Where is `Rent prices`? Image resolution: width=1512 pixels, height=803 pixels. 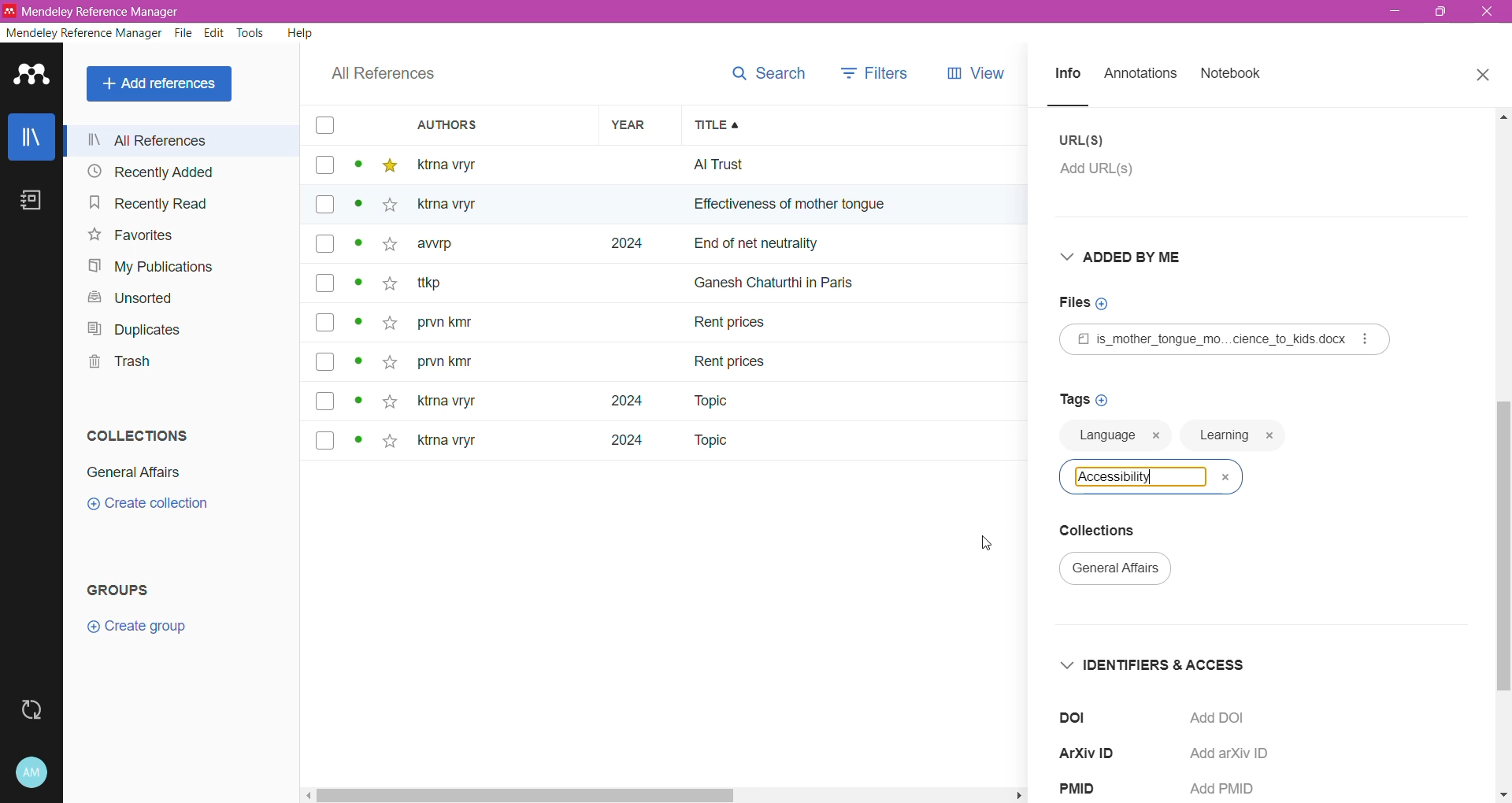 Rent prices is located at coordinates (732, 325).